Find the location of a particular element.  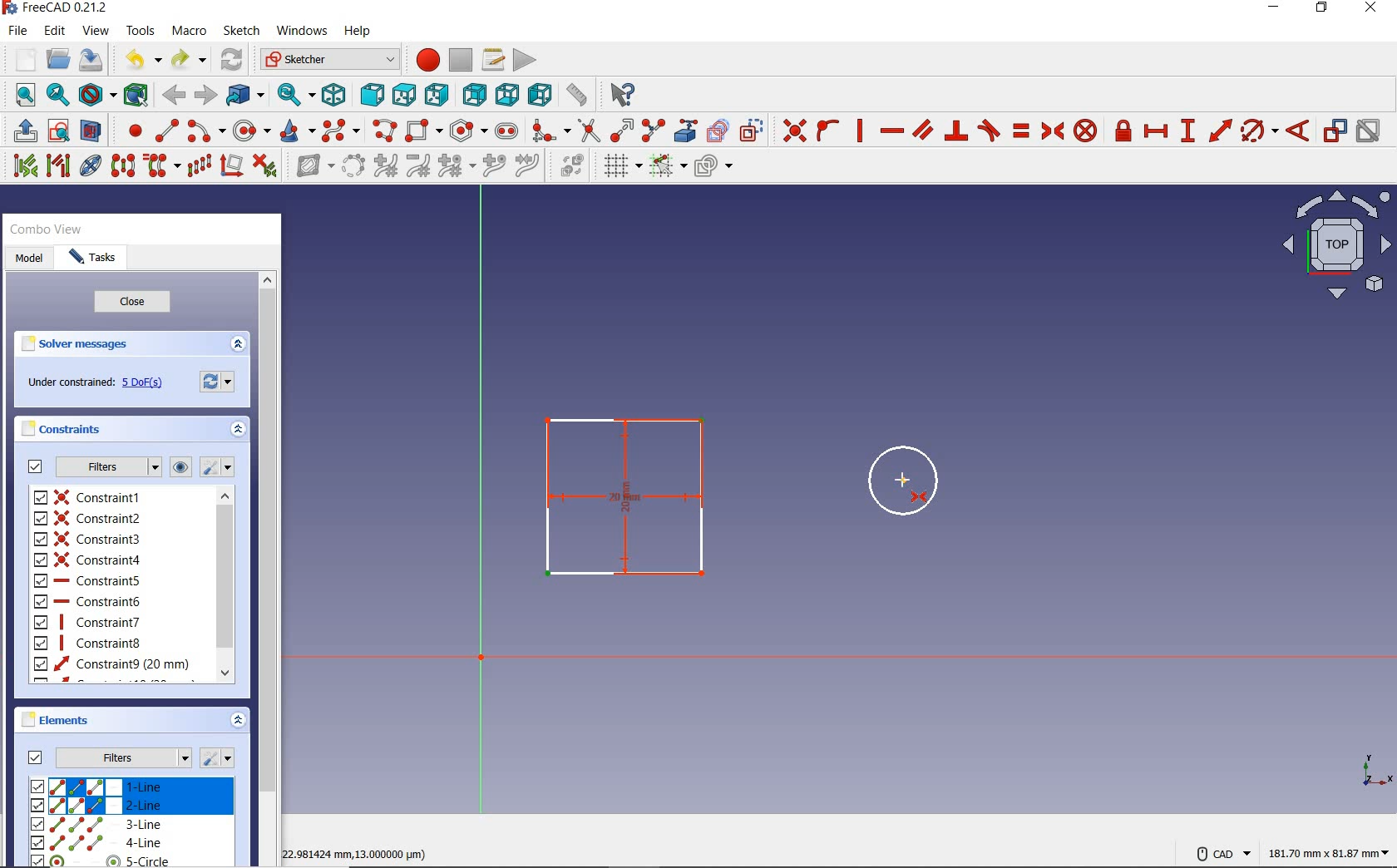

view is located at coordinates (96, 31).